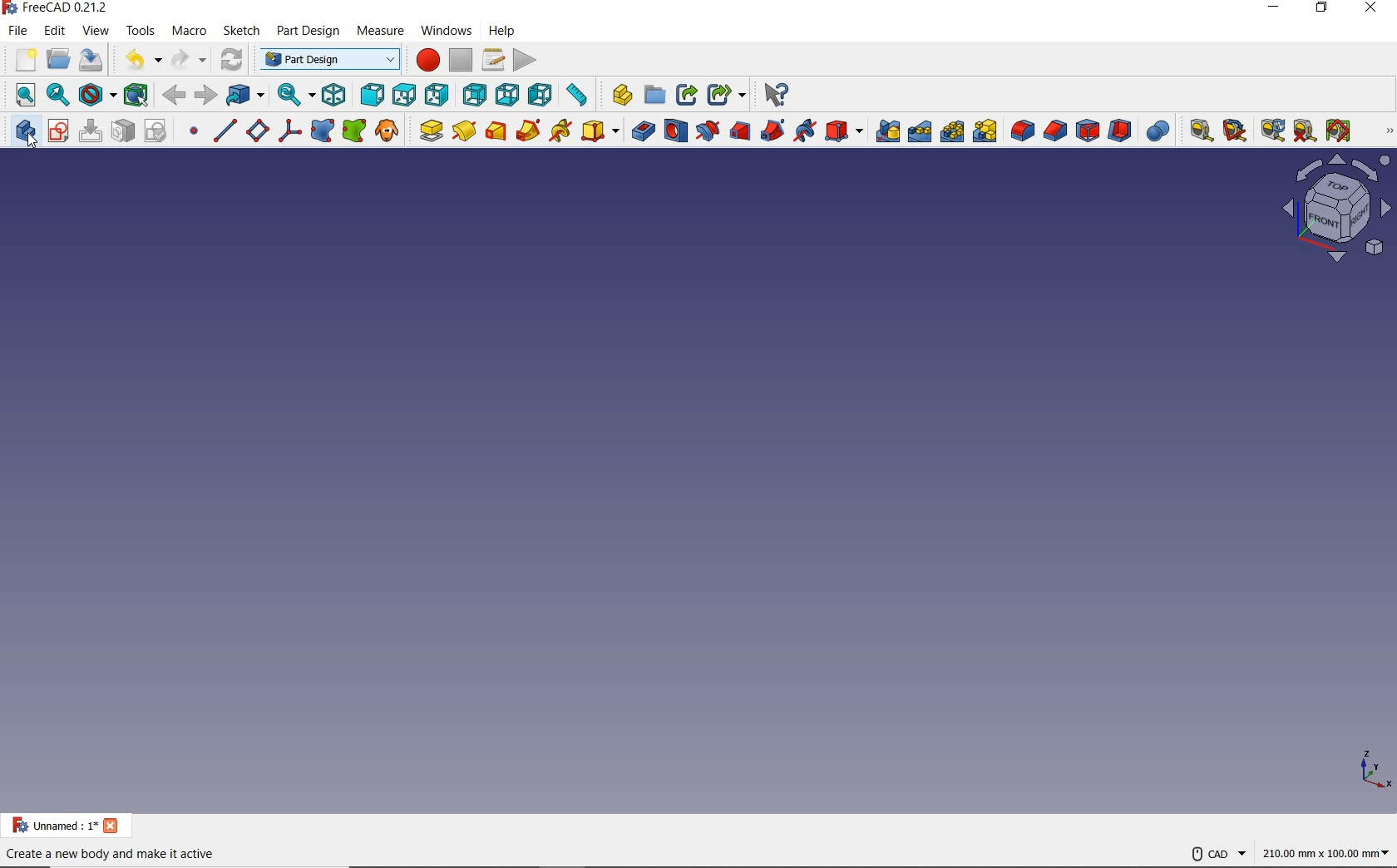 This screenshot has height=868, width=1397. What do you see at coordinates (1371, 768) in the screenshot?
I see `dimension axis` at bounding box center [1371, 768].